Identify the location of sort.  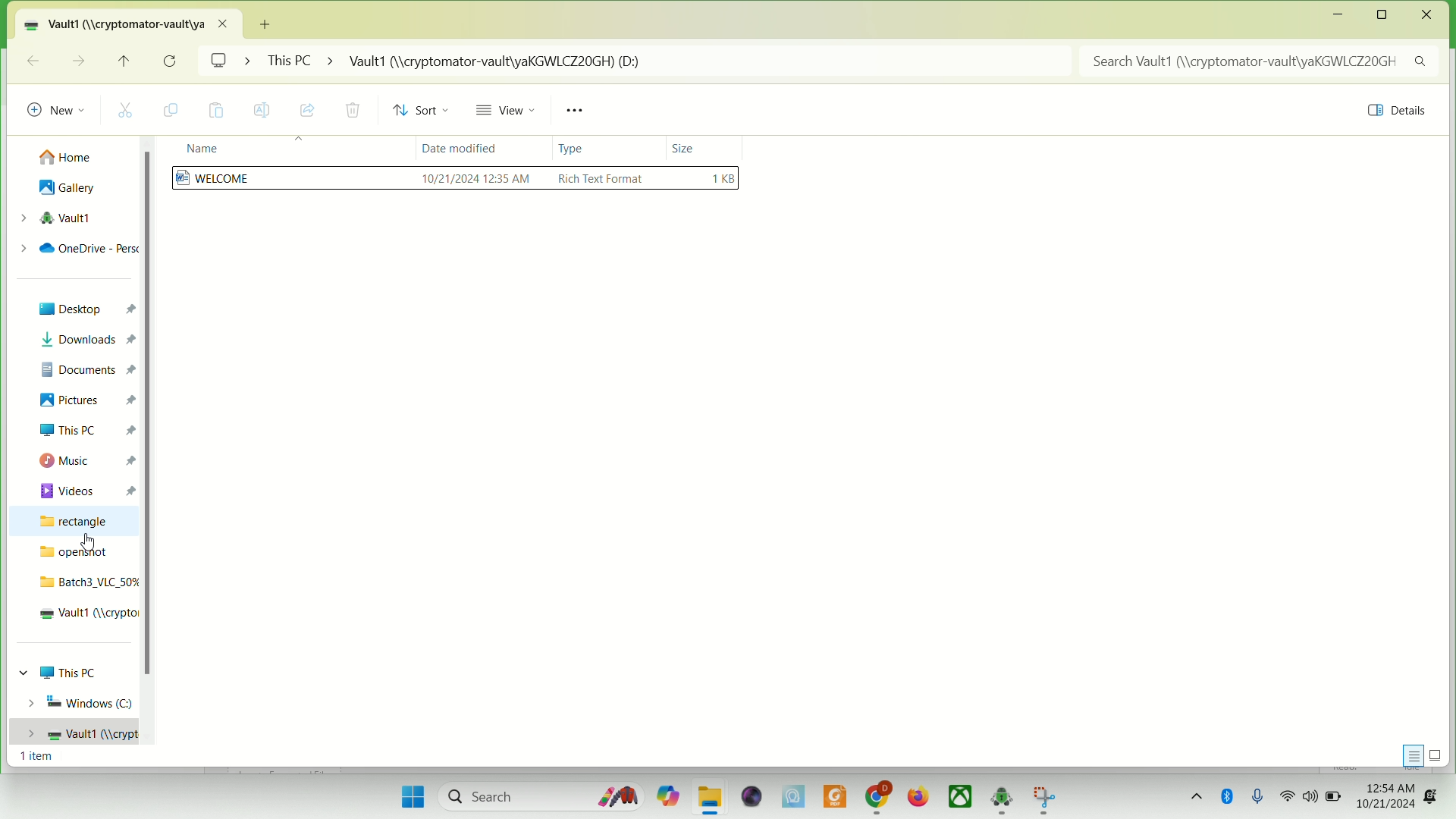
(425, 111).